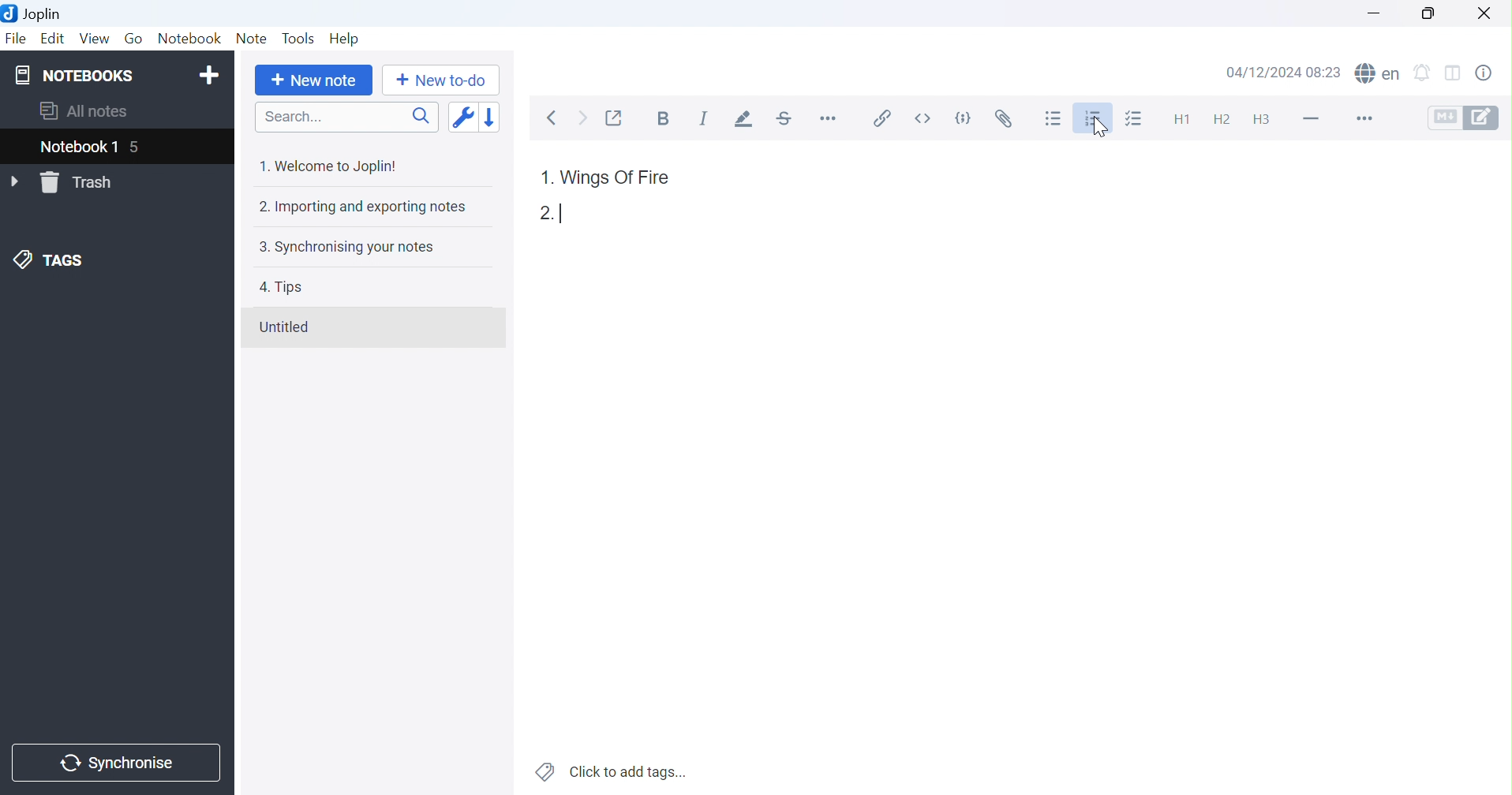 The height and width of the screenshot is (795, 1512). Describe the element at coordinates (361, 207) in the screenshot. I see `2. Importing and exporting notes` at that location.